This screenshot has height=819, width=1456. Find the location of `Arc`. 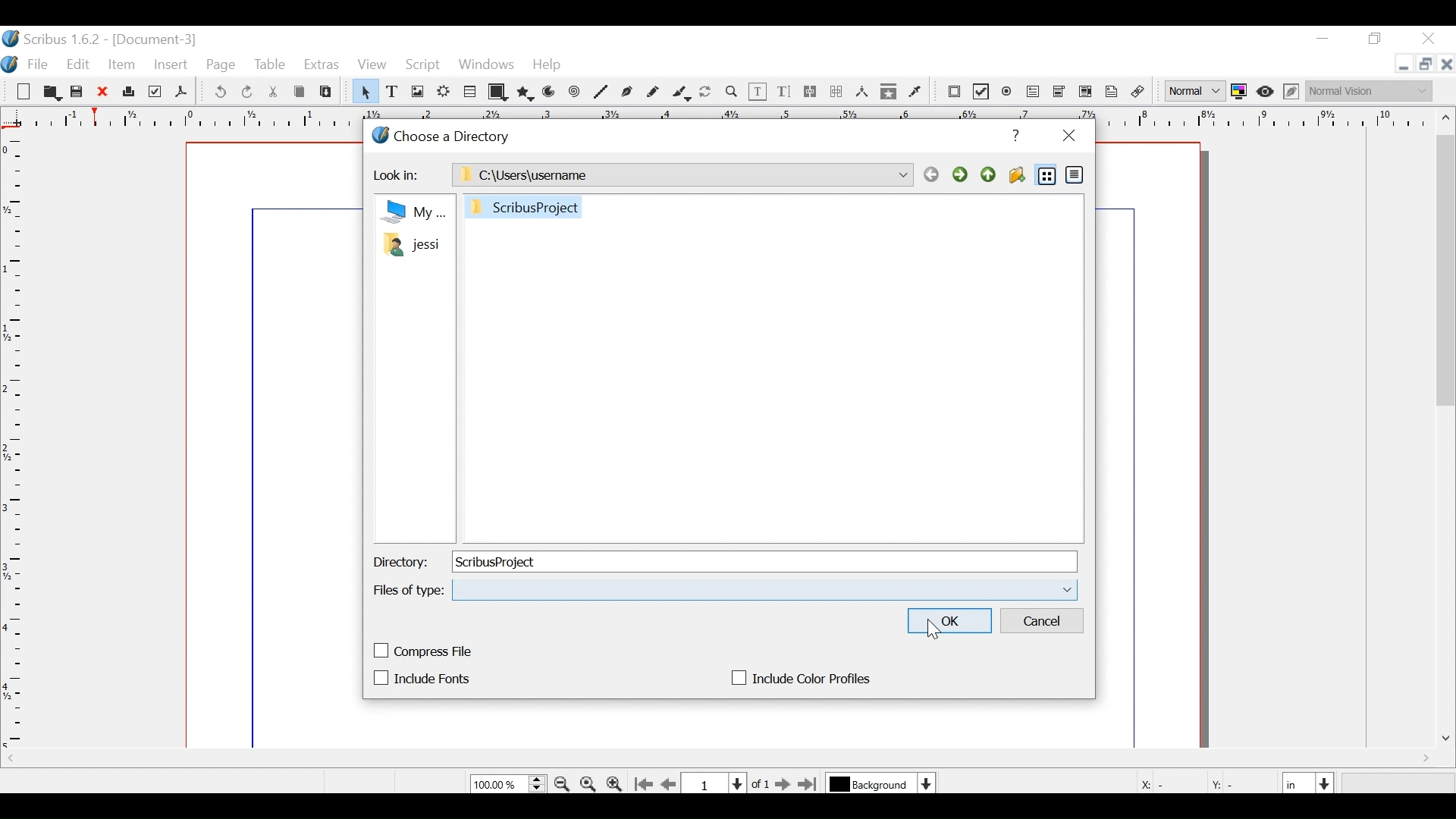

Arc is located at coordinates (549, 93).